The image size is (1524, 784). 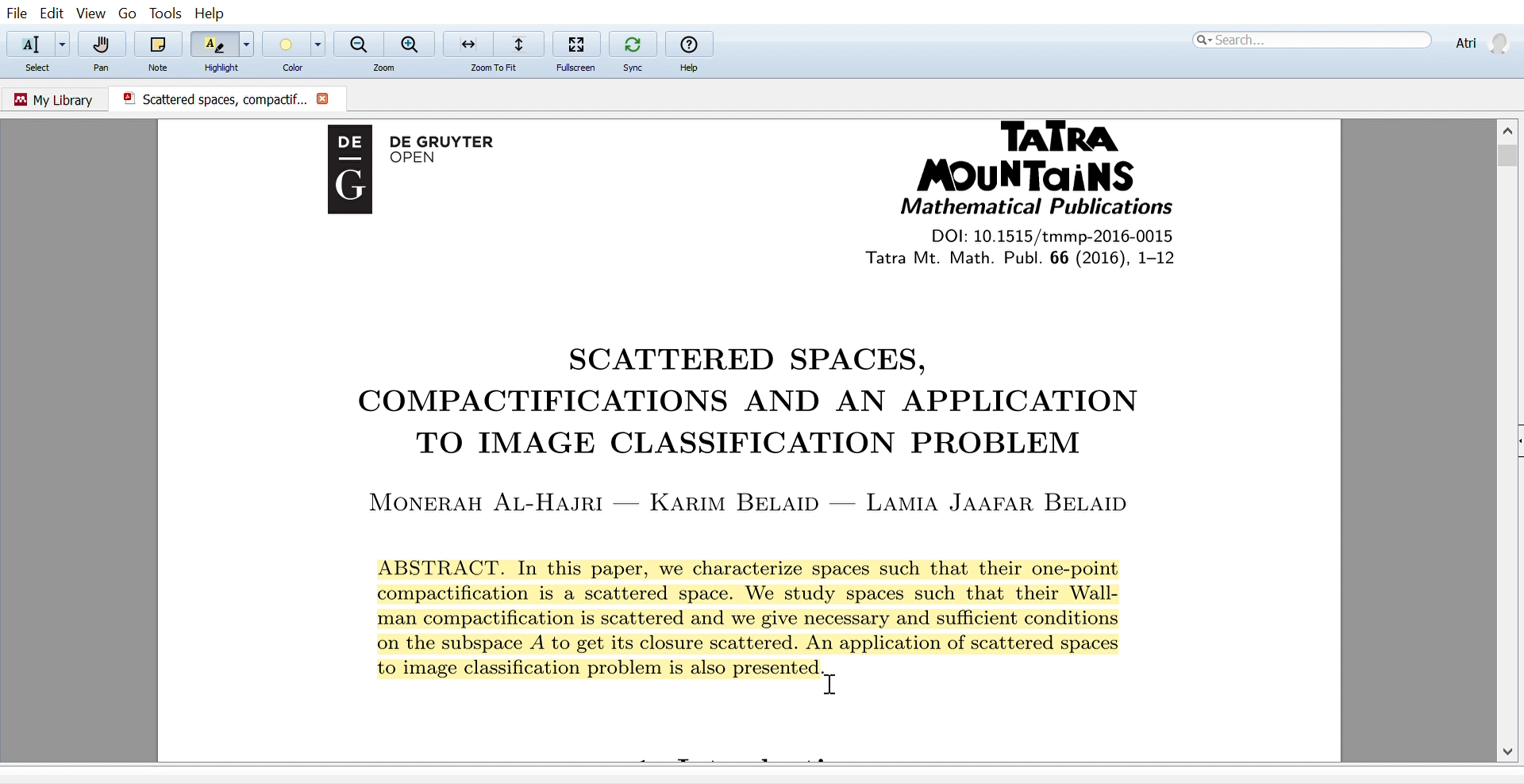 I want to click on zoom to fit, so click(x=499, y=68).